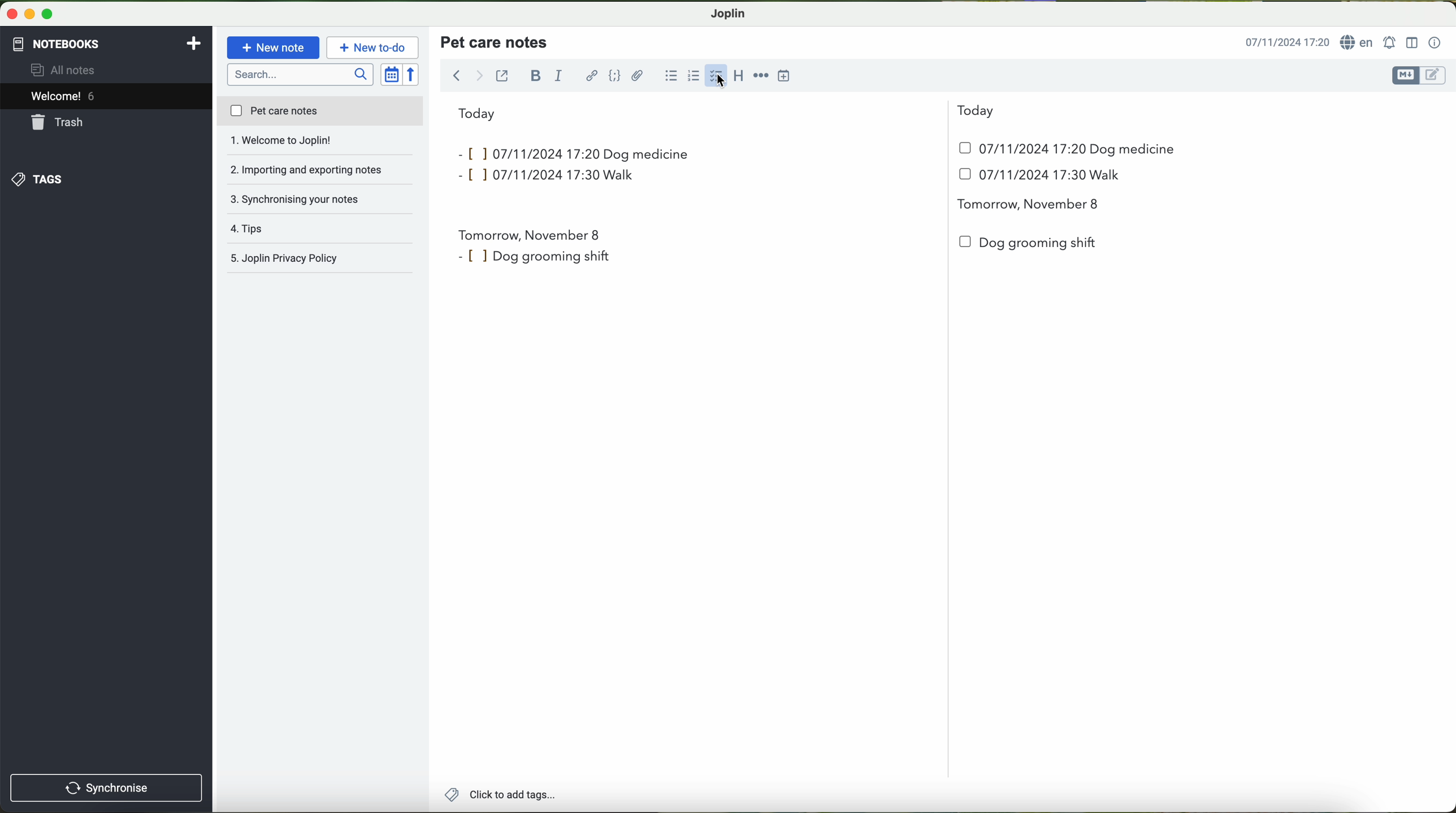 The width and height of the screenshot is (1456, 813). What do you see at coordinates (1359, 43) in the screenshot?
I see `language` at bounding box center [1359, 43].